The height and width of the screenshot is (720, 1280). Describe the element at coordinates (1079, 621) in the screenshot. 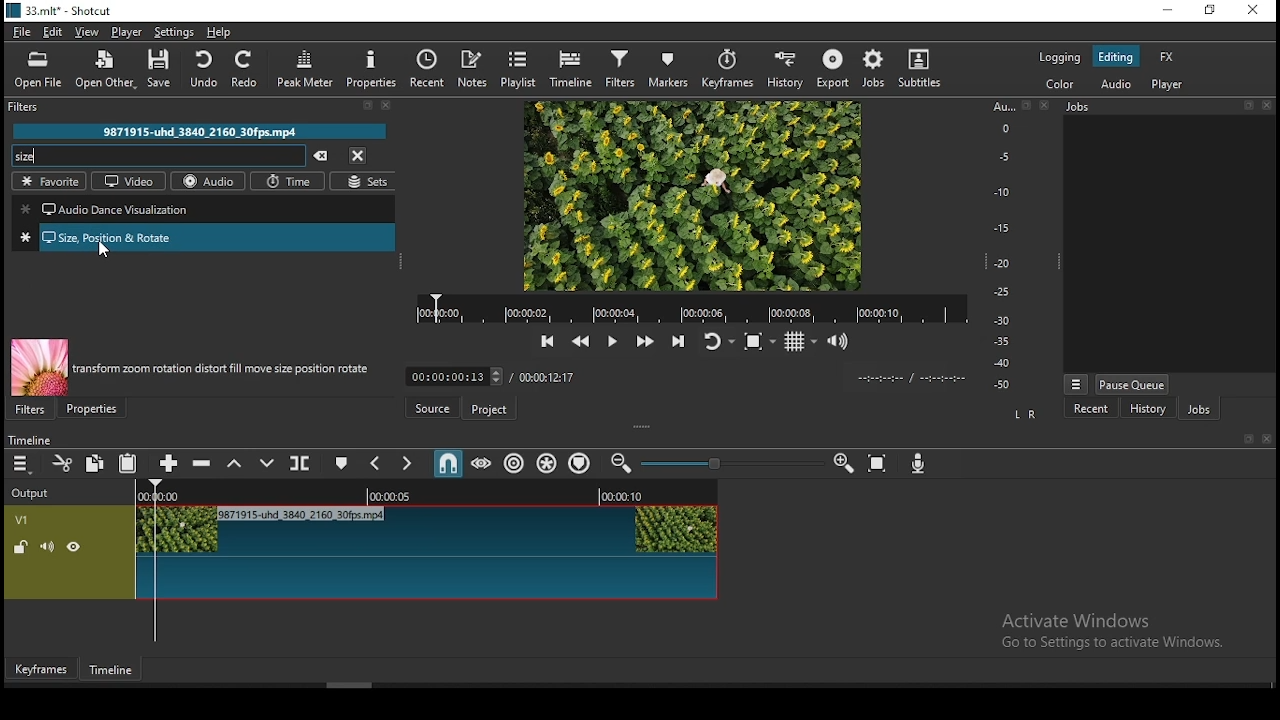

I see `Activate Windows` at that location.